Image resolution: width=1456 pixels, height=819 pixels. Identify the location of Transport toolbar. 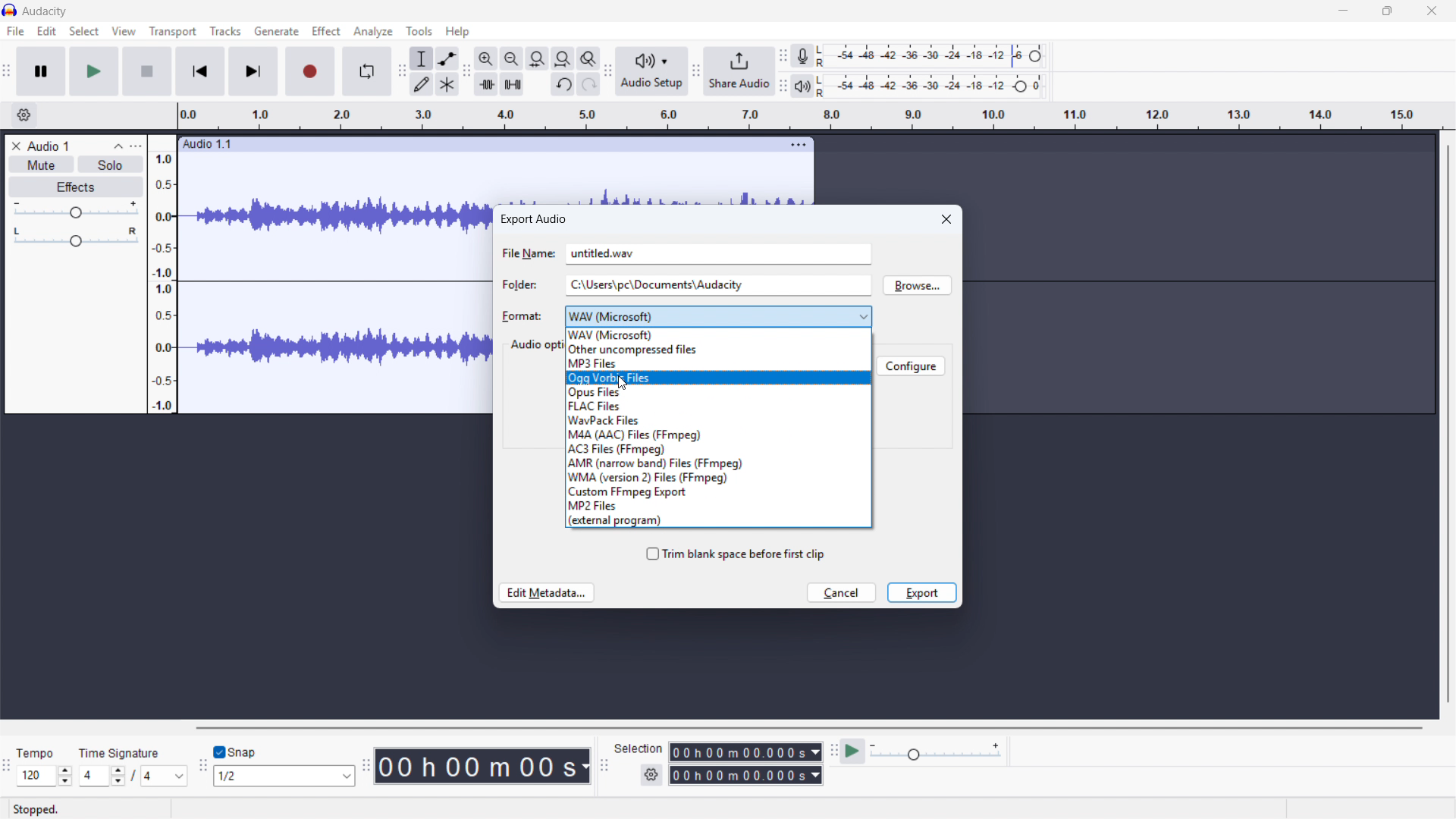
(7, 73).